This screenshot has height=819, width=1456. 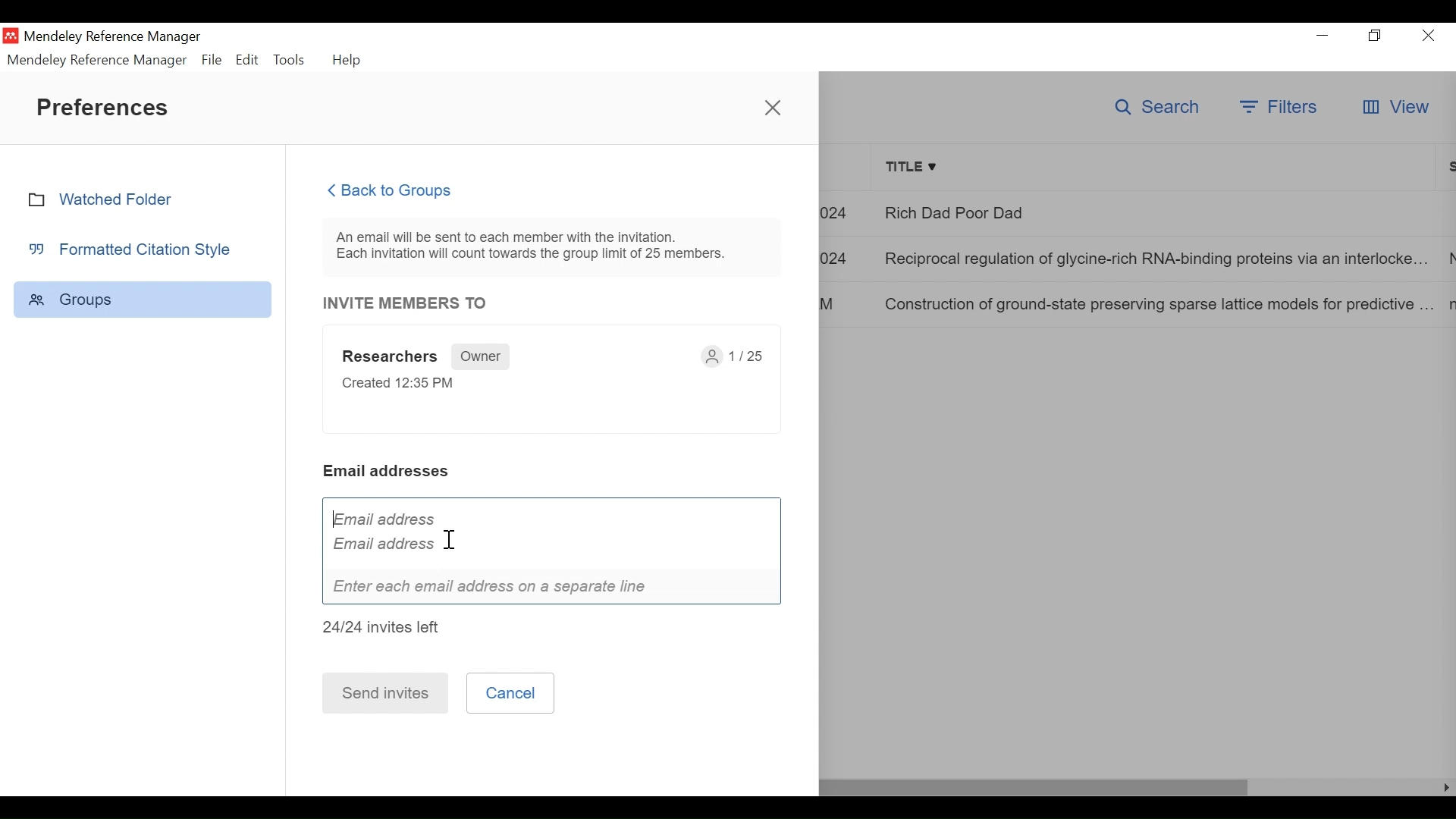 I want to click on Owner, so click(x=482, y=356).